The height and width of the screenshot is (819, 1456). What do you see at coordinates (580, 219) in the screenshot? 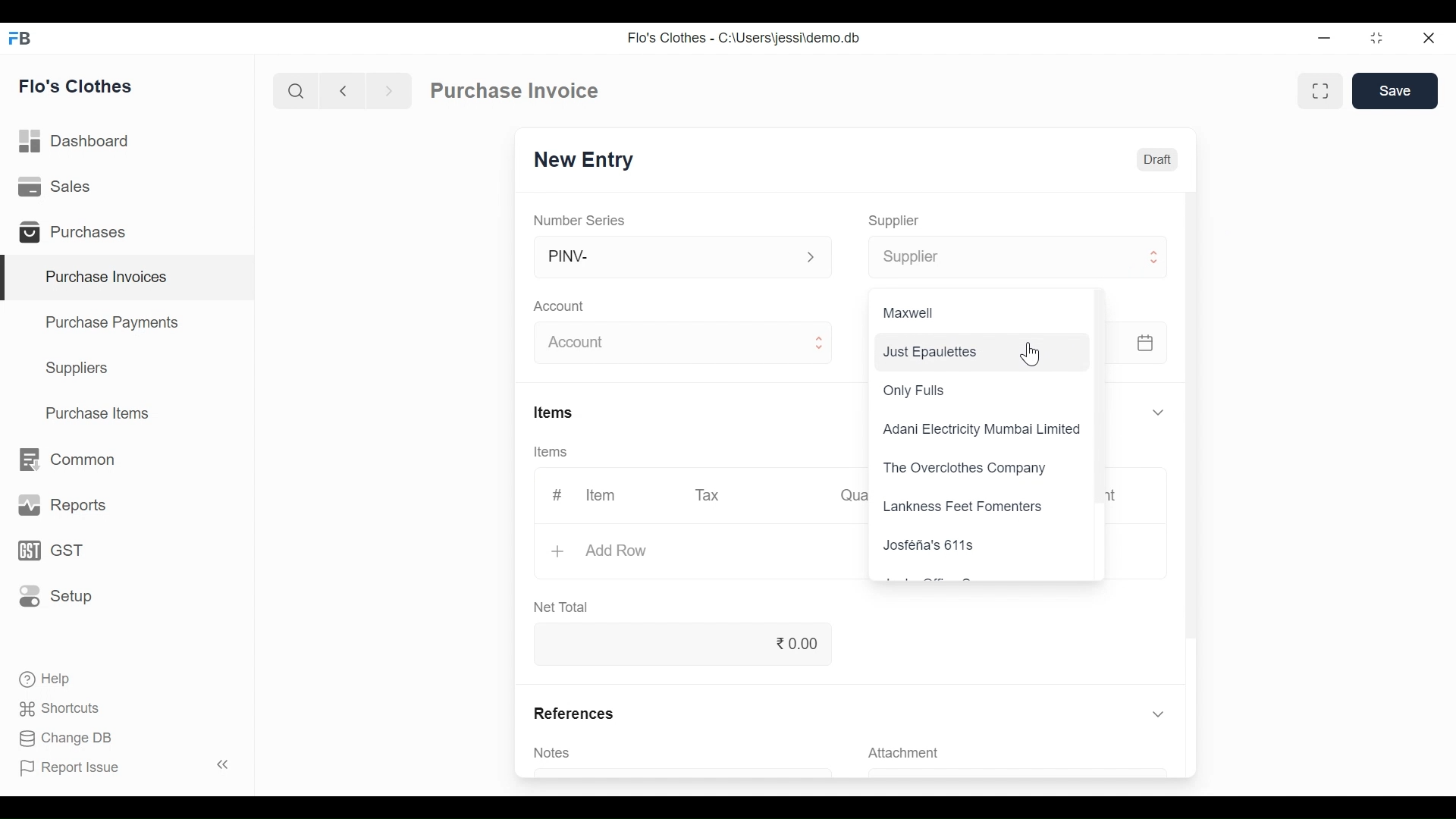
I see `Number Series` at bounding box center [580, 219].